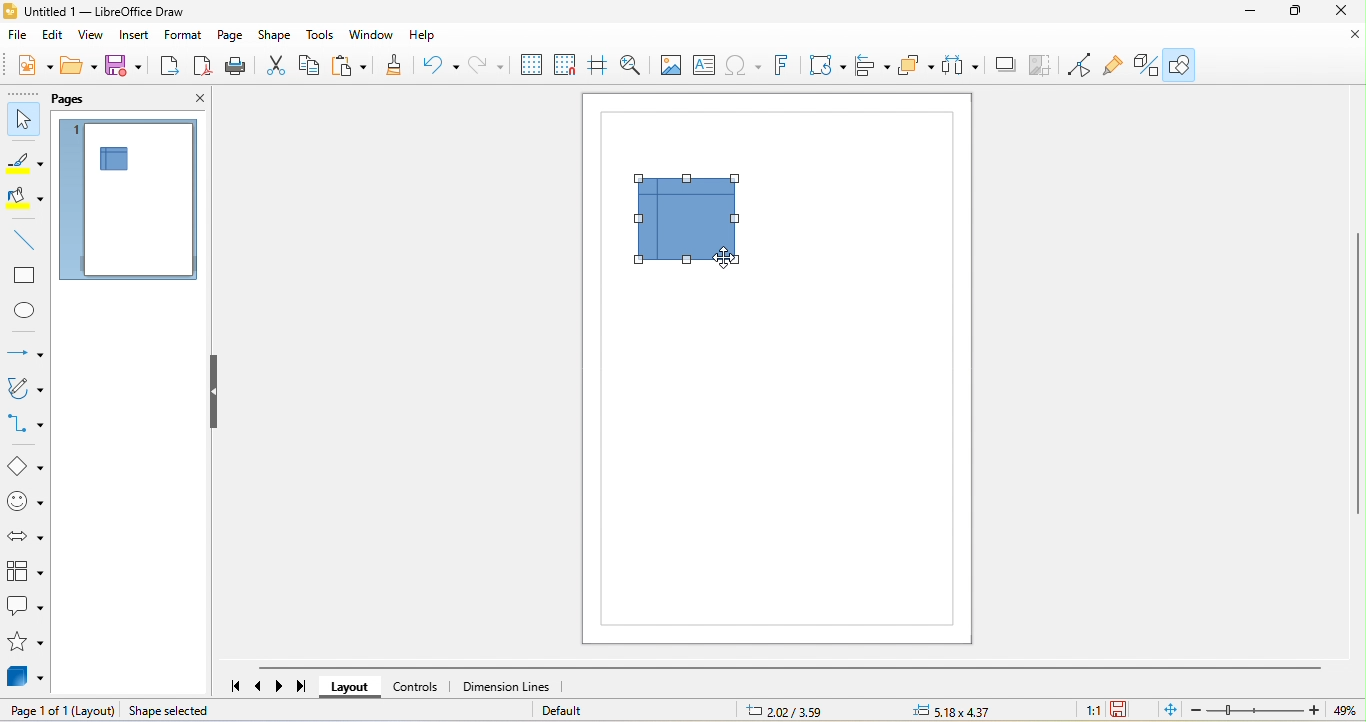 The height and width of the screenshot is (722, 1366). Describe the element at coordinates (206, 67) in the screenshot. I see `export directly as pdf` at that location.